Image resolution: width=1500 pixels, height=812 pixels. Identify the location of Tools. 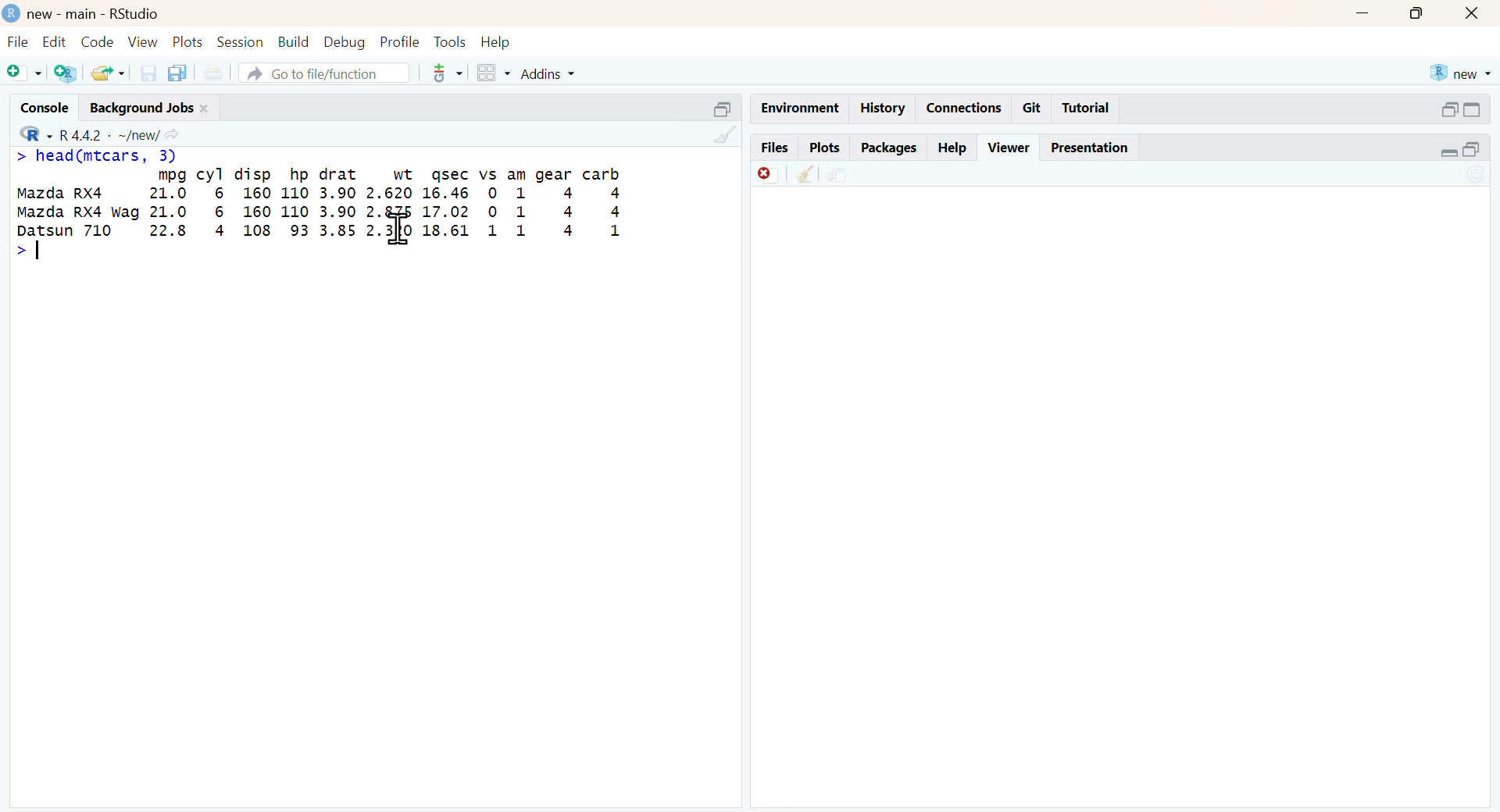
(448, 40).